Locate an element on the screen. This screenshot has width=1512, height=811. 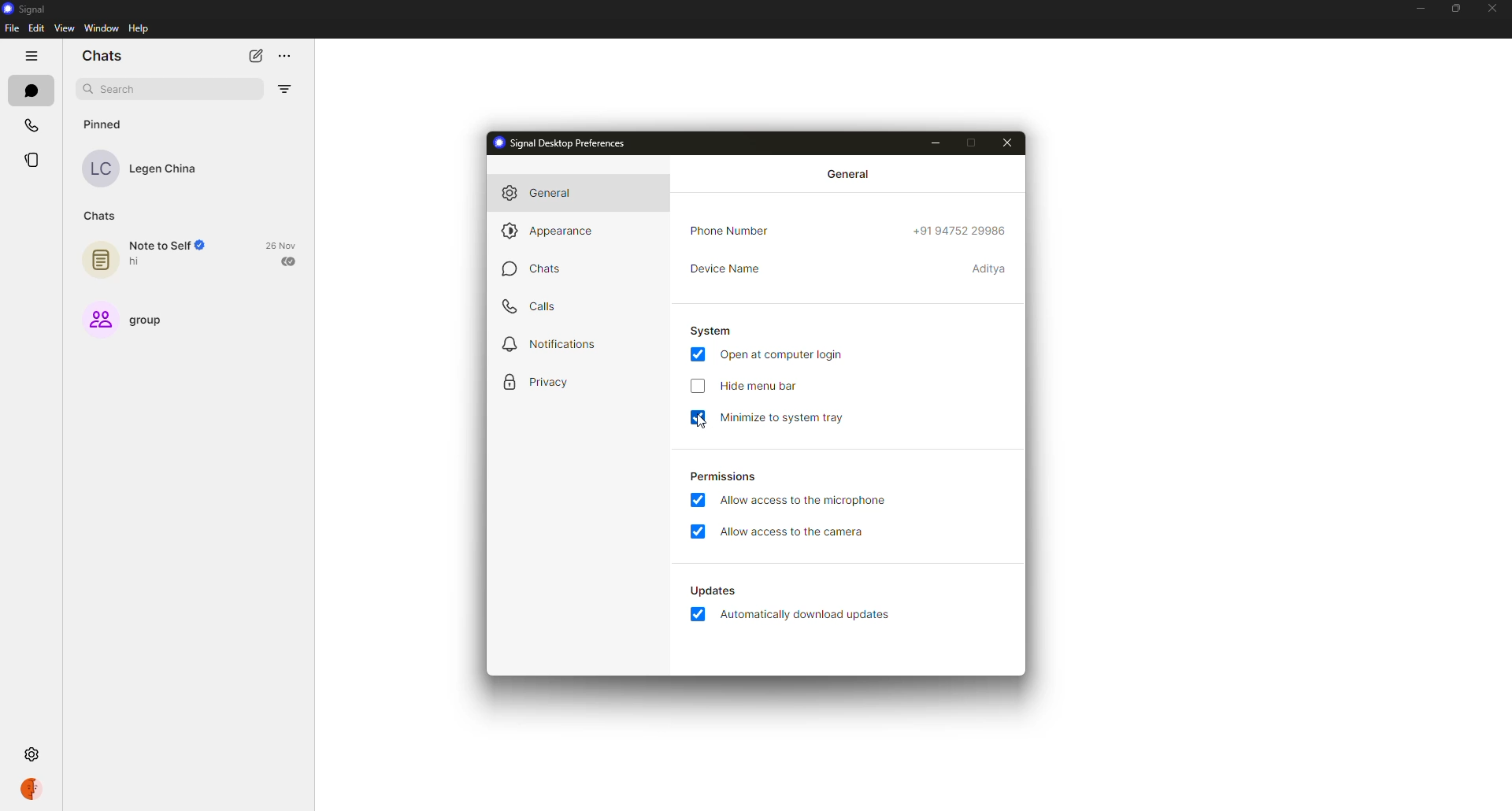
search is located at coordinates (120, 88).